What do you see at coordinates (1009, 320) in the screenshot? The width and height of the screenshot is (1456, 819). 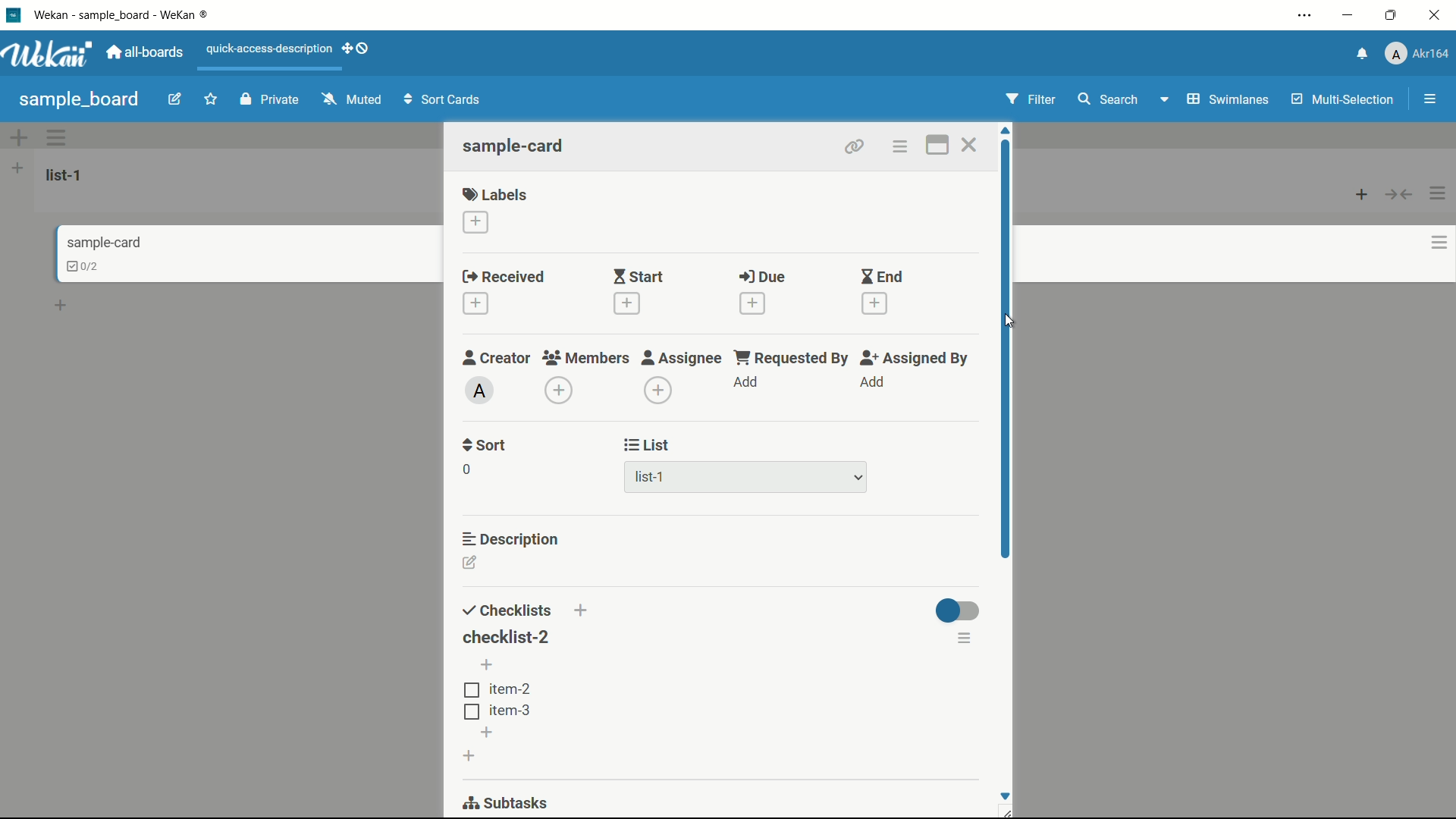 I see `cursor` at bounding box center [1009, 320].